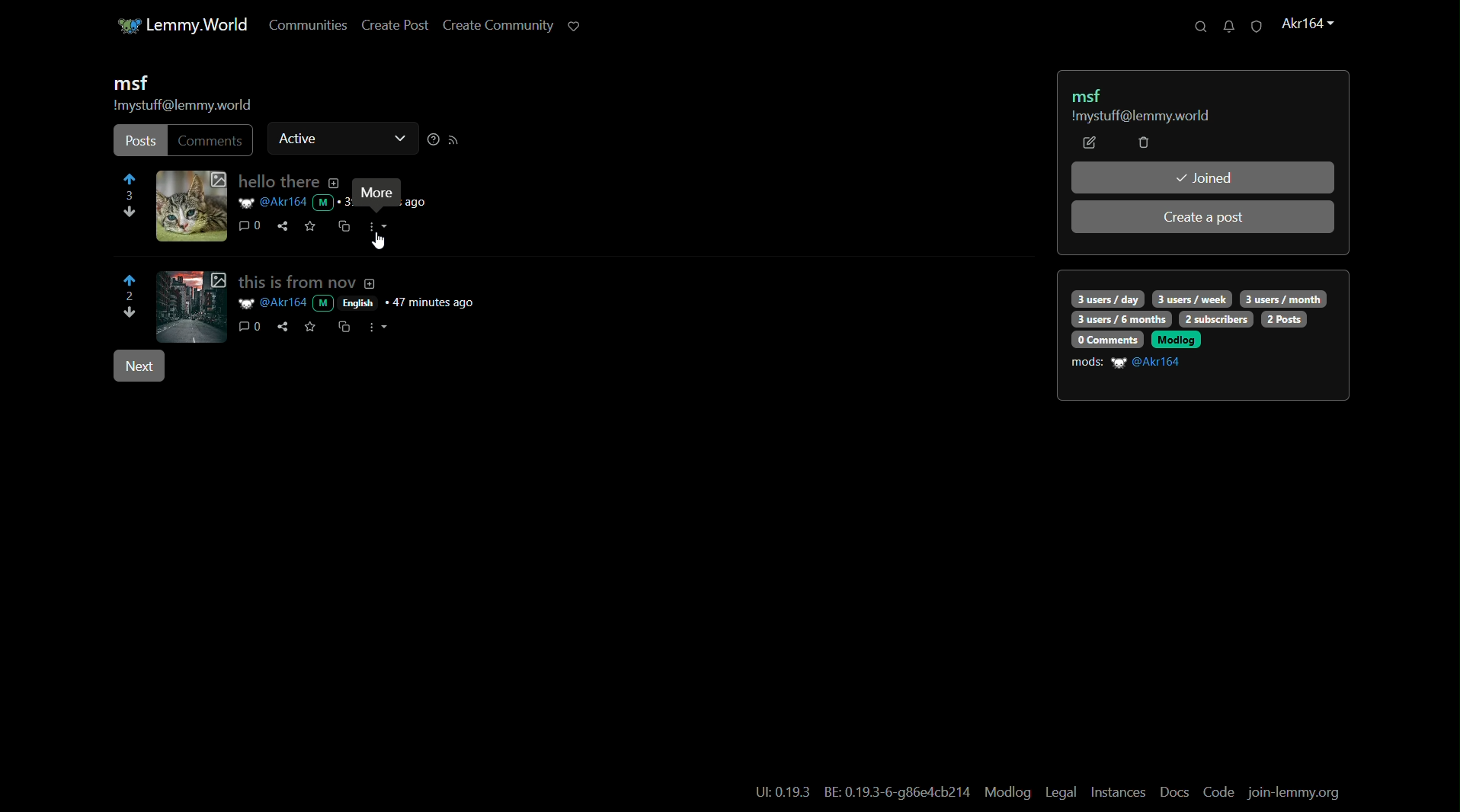 Image resolution: width=1460 pixels, height=812 pixels. I want to click on post-2, so click(358, 281).